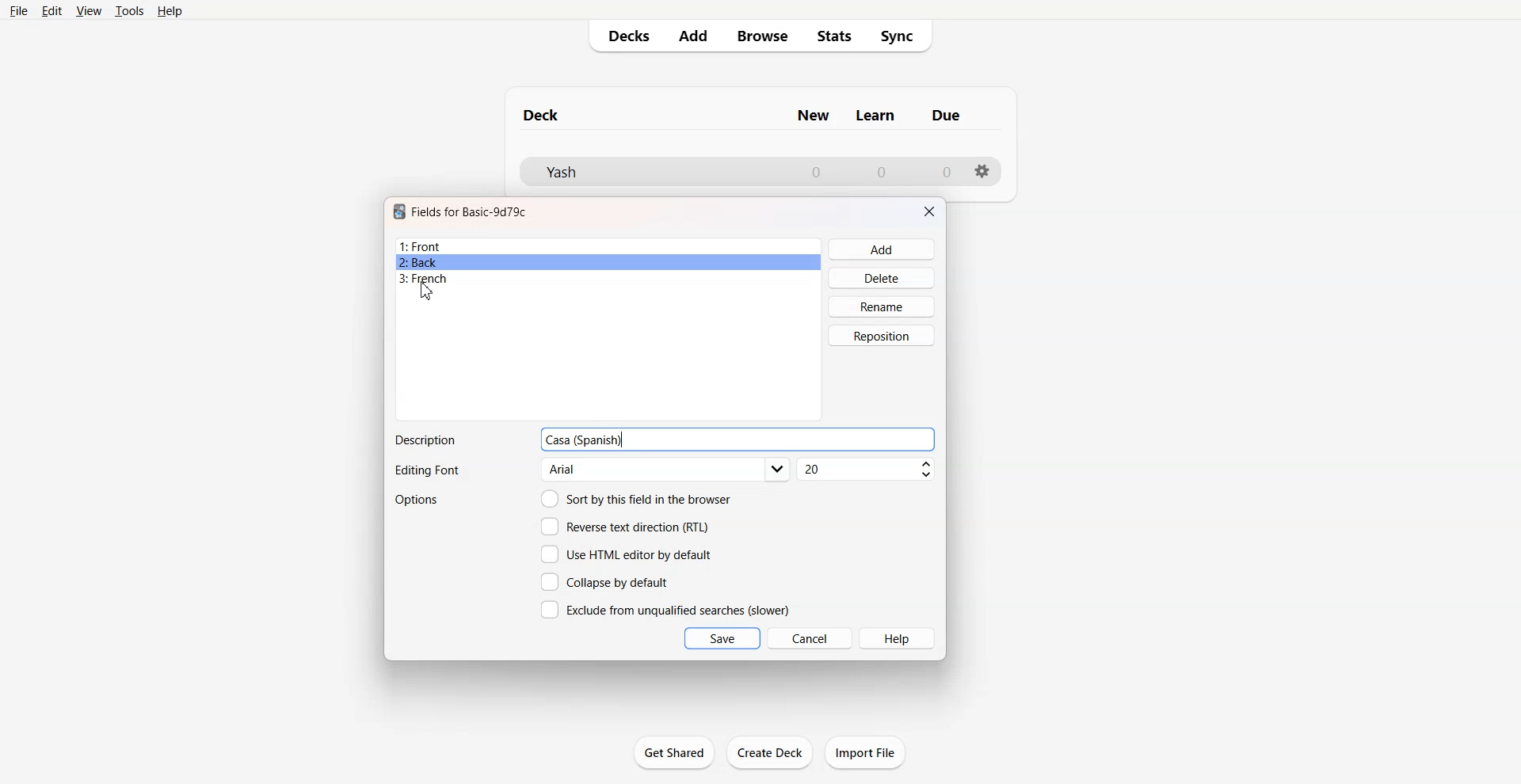 The image size is (1521, 784). Describe the element at coordinates (784, 440) in the screenshot. I see `Enter Description` at that location.